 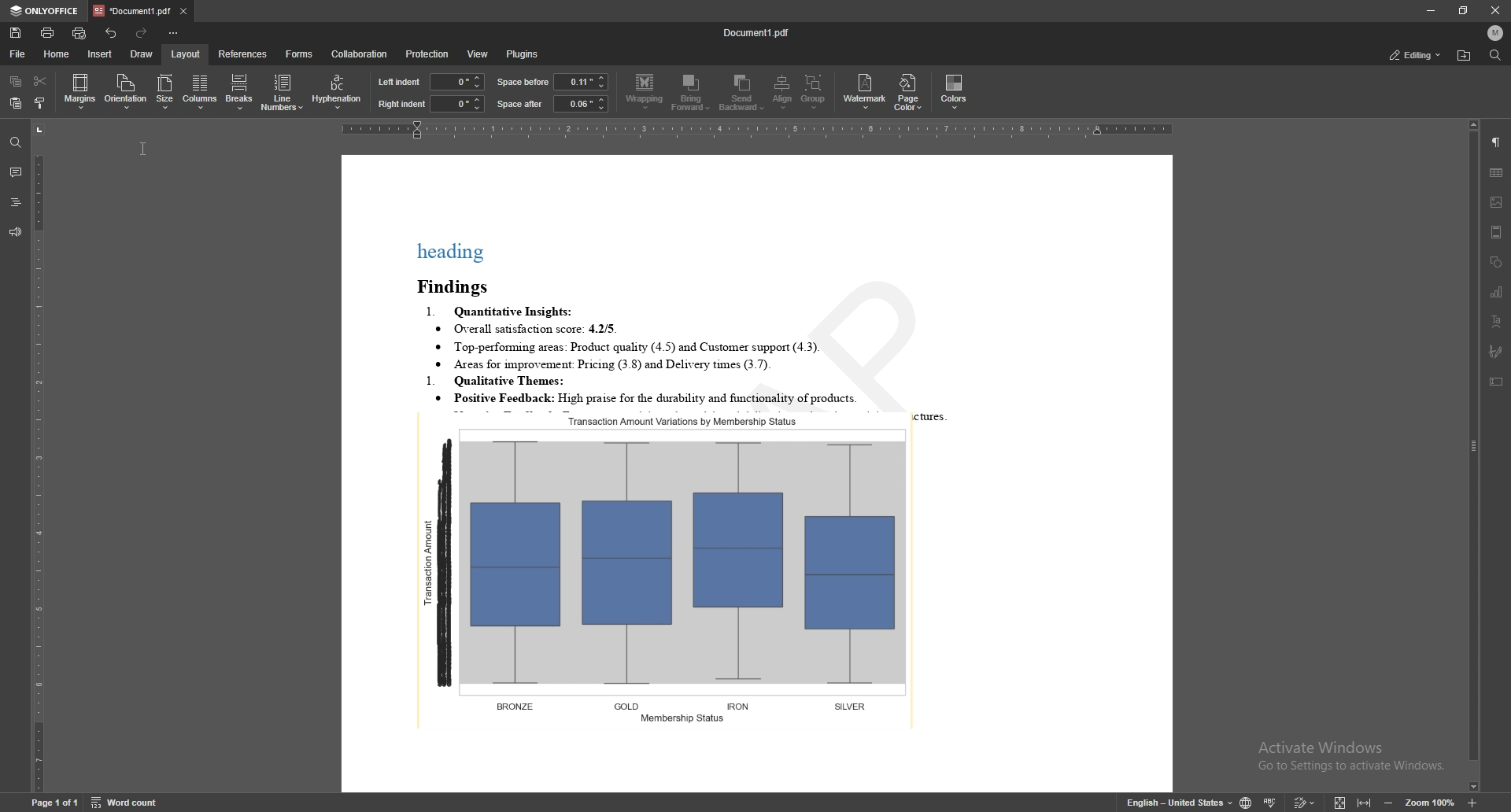 I want to click on print, so click(x=49, y=33).